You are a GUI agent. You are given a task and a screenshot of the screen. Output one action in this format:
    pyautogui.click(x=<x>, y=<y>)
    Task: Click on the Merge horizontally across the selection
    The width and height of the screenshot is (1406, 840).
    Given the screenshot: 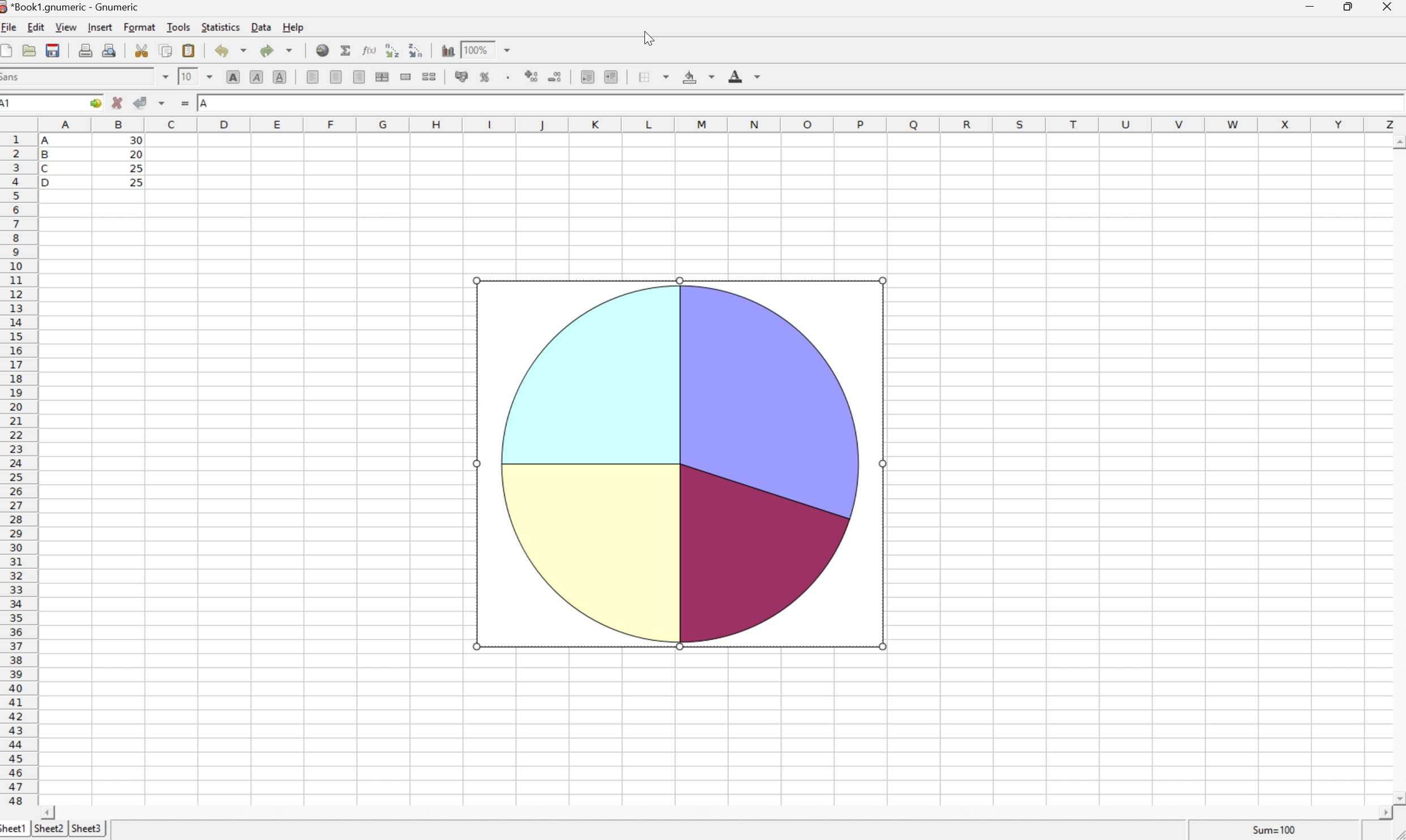 What is the action you would take?
    pyautogui.click(x=382, y=76)
    